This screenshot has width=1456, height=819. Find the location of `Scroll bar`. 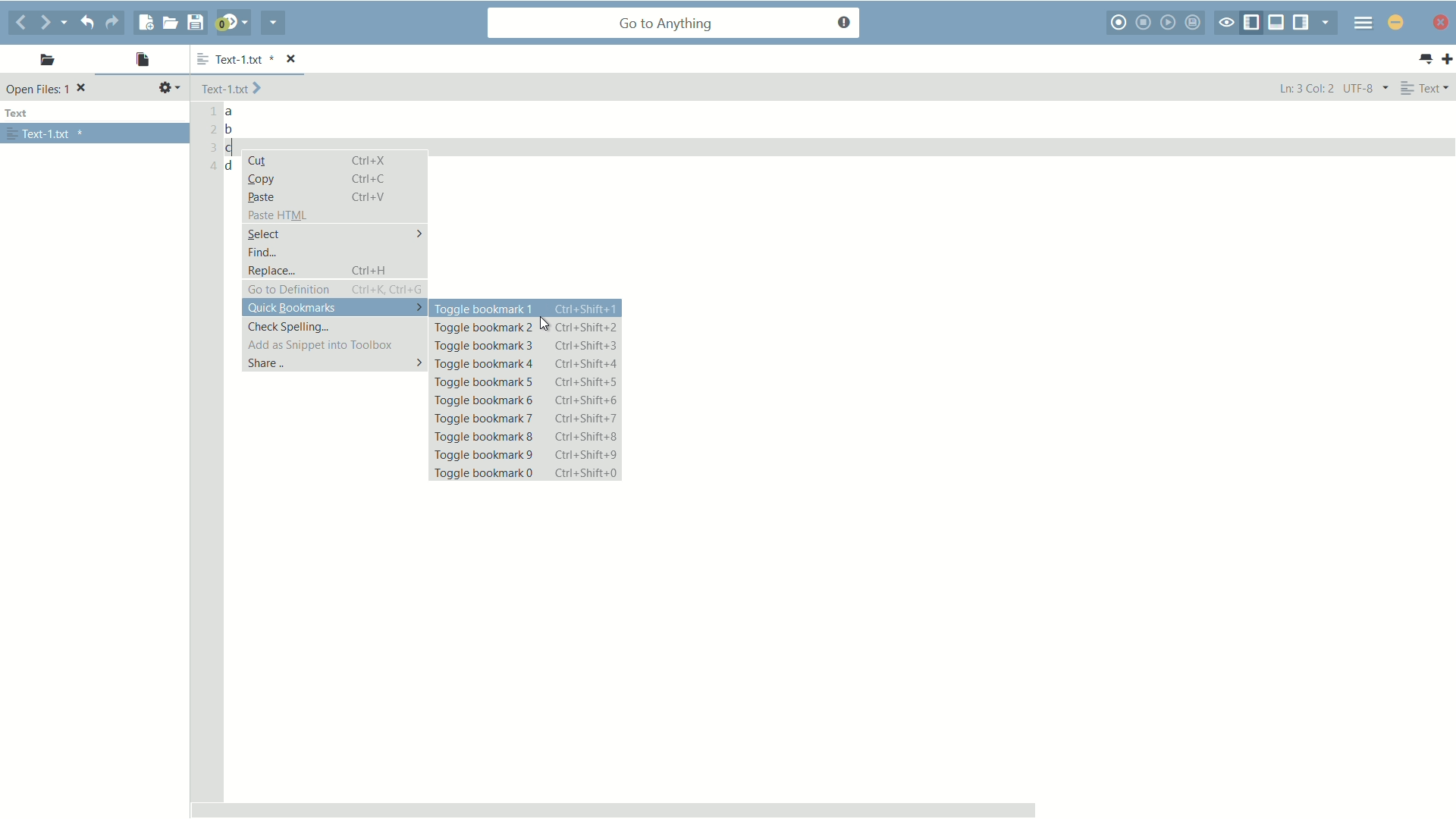

Scroll bar is located at coordinates (818, 805).